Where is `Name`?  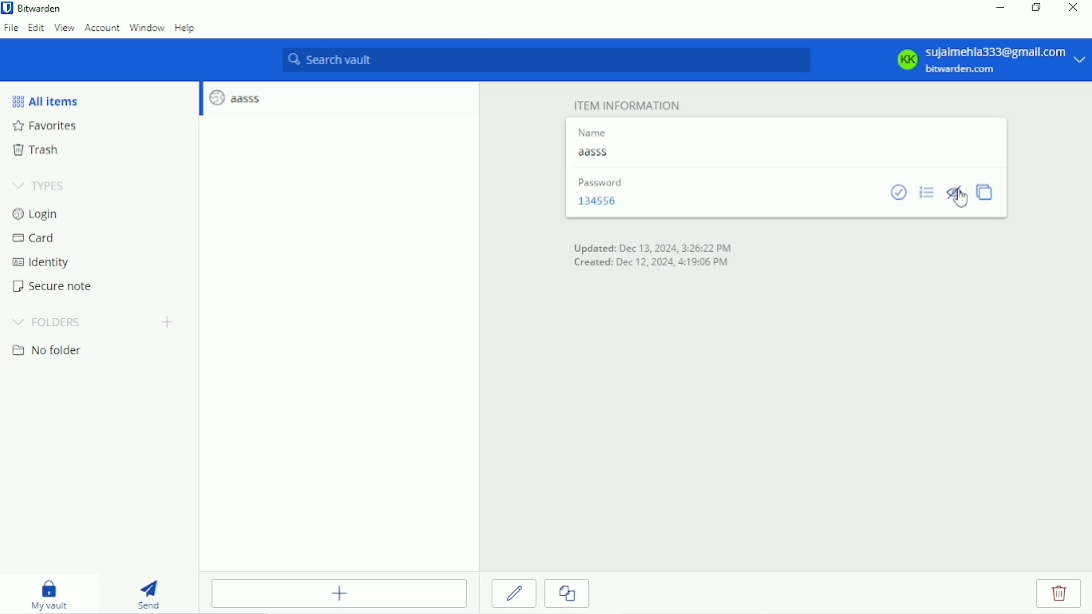 Name is located at coordinates (599, 156).